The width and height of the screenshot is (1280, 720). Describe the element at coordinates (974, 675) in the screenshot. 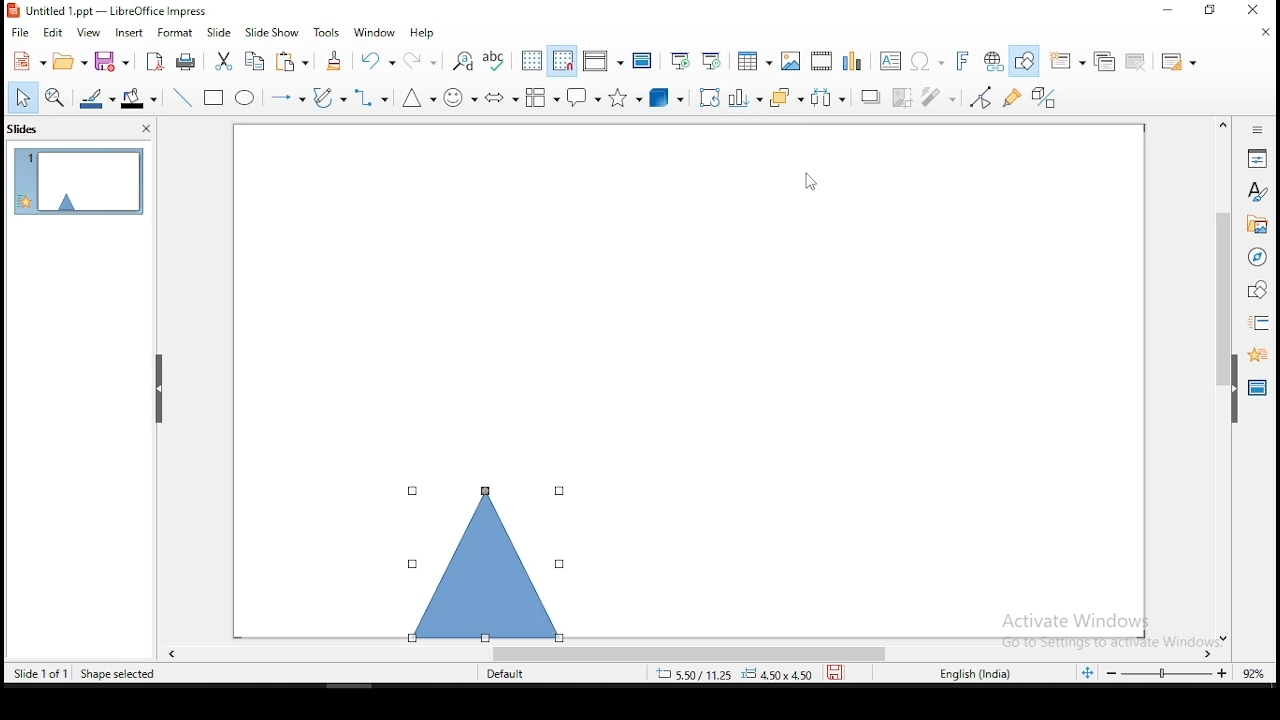

I see `English (India)` at that location.